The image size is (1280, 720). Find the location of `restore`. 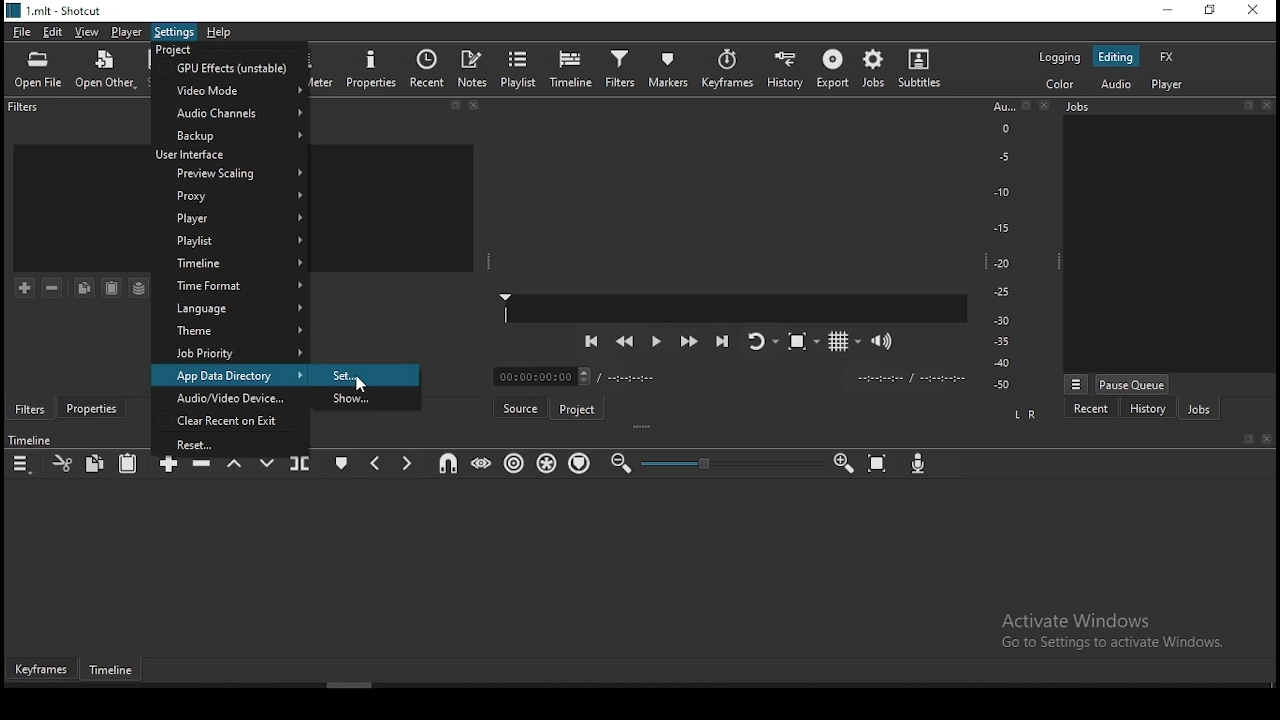

restore is located at coordinates (1209, 11).